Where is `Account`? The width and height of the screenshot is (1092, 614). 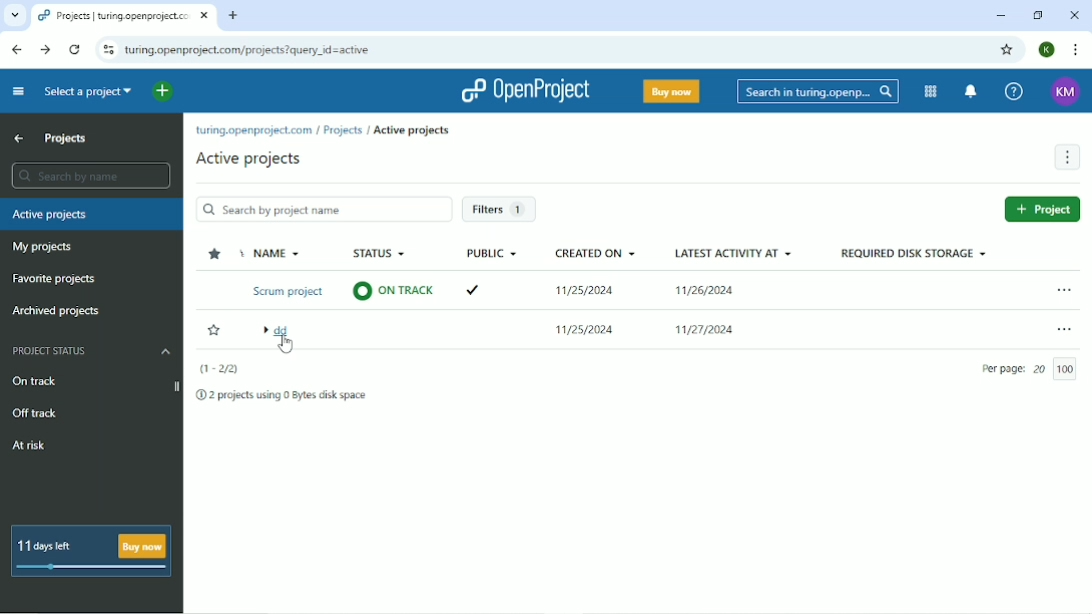 Account is located at coordinates (1065, 92).